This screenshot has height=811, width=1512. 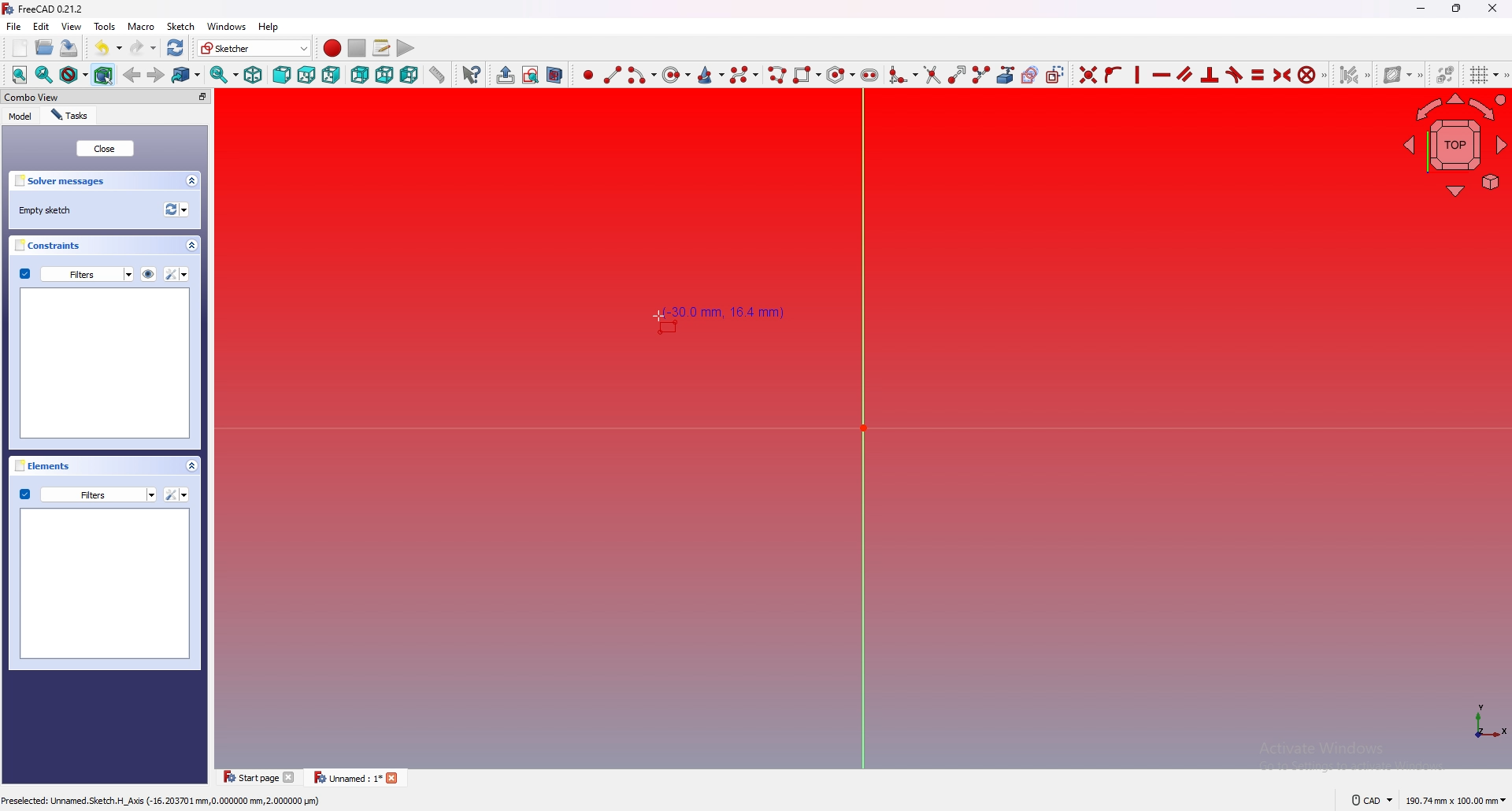 I want to click on top, so click(x=306, y=75).